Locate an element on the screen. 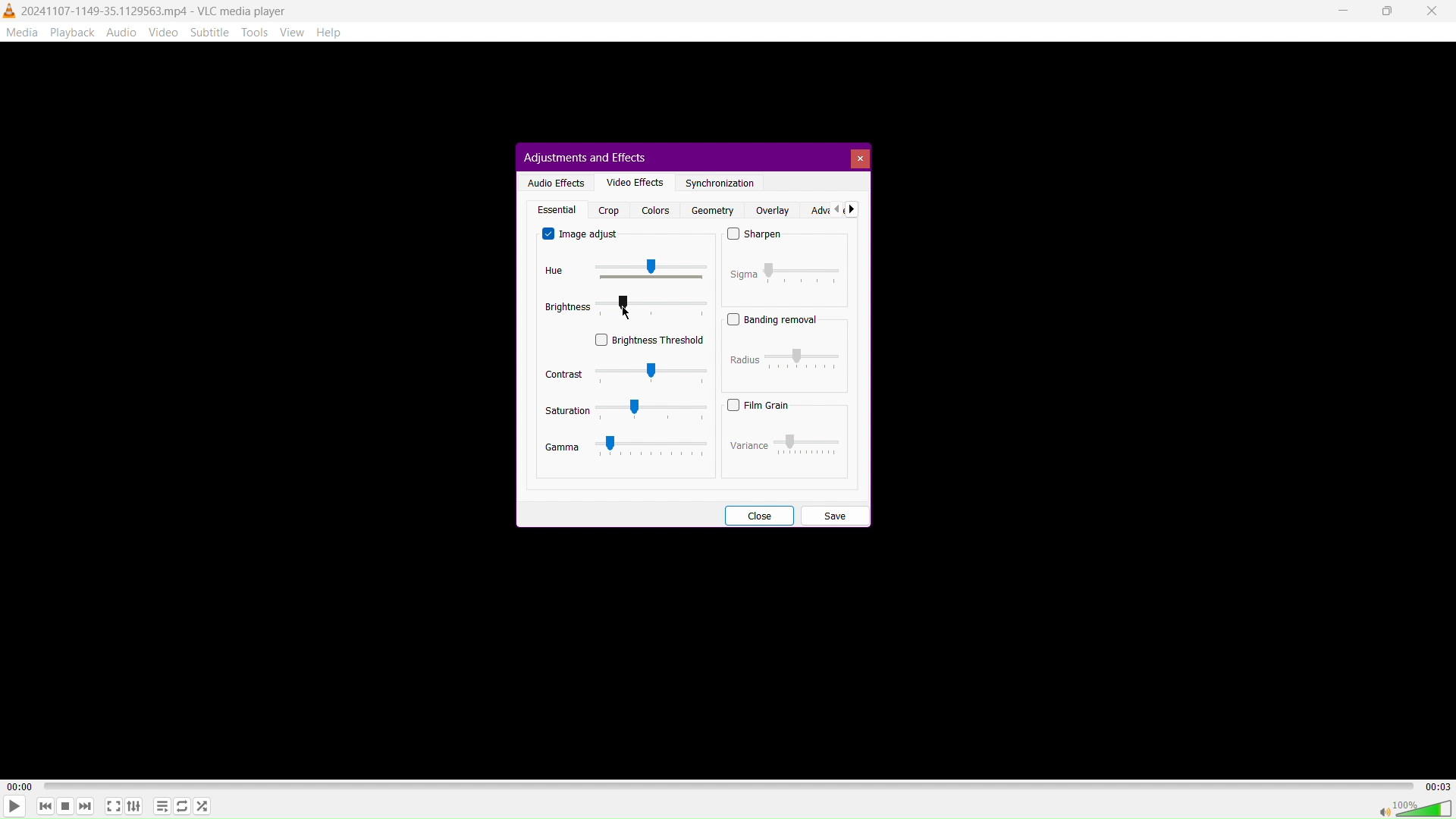 The height and width of the screenshot is (819, 1456). Contrast is located at coordinates (625, 373).